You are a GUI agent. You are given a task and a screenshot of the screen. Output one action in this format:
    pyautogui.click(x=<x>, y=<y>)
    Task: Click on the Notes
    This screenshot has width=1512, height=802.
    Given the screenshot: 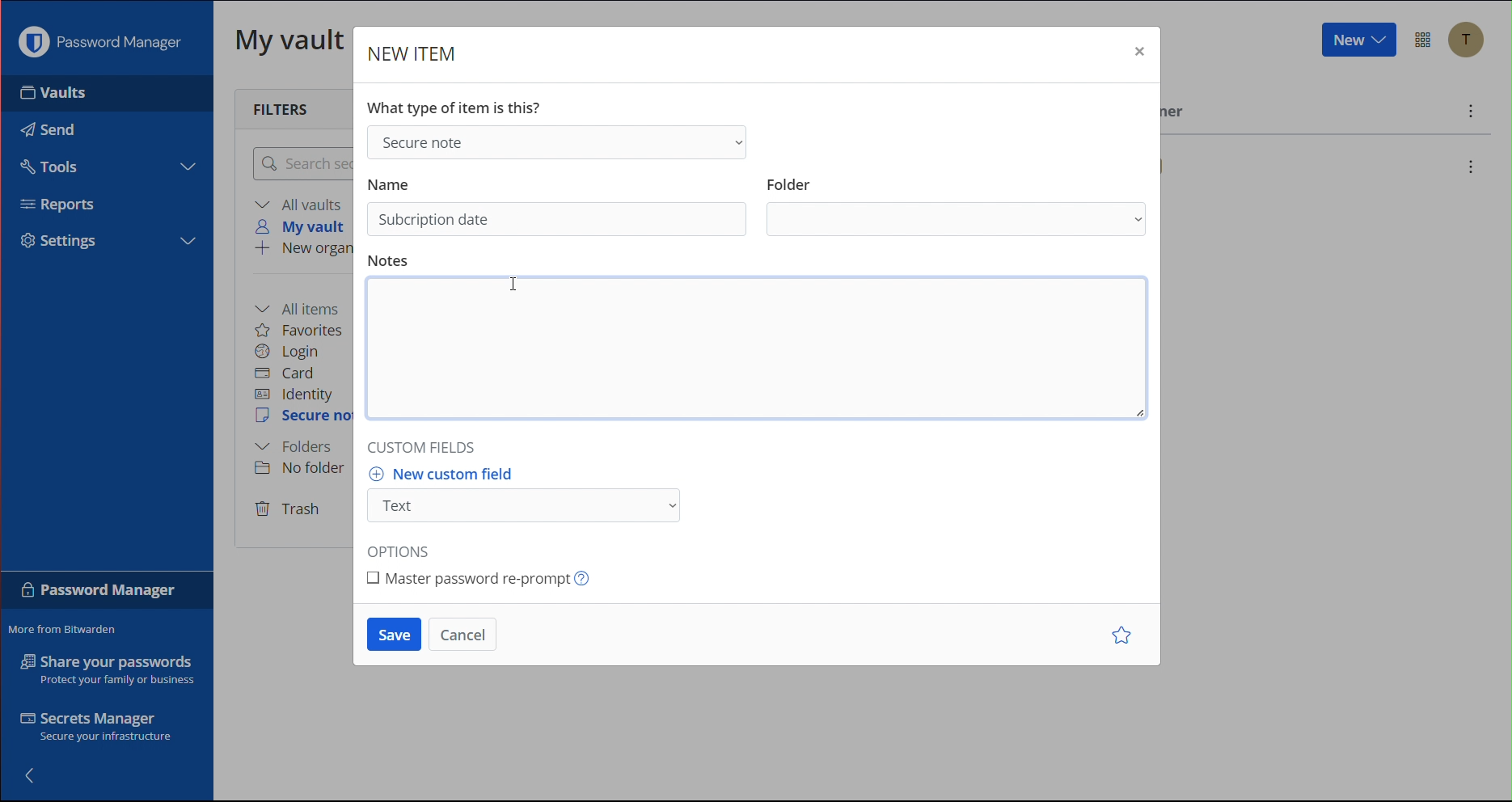 What is the action you would take?
    pyautogui.click(x=765, y=352)
    